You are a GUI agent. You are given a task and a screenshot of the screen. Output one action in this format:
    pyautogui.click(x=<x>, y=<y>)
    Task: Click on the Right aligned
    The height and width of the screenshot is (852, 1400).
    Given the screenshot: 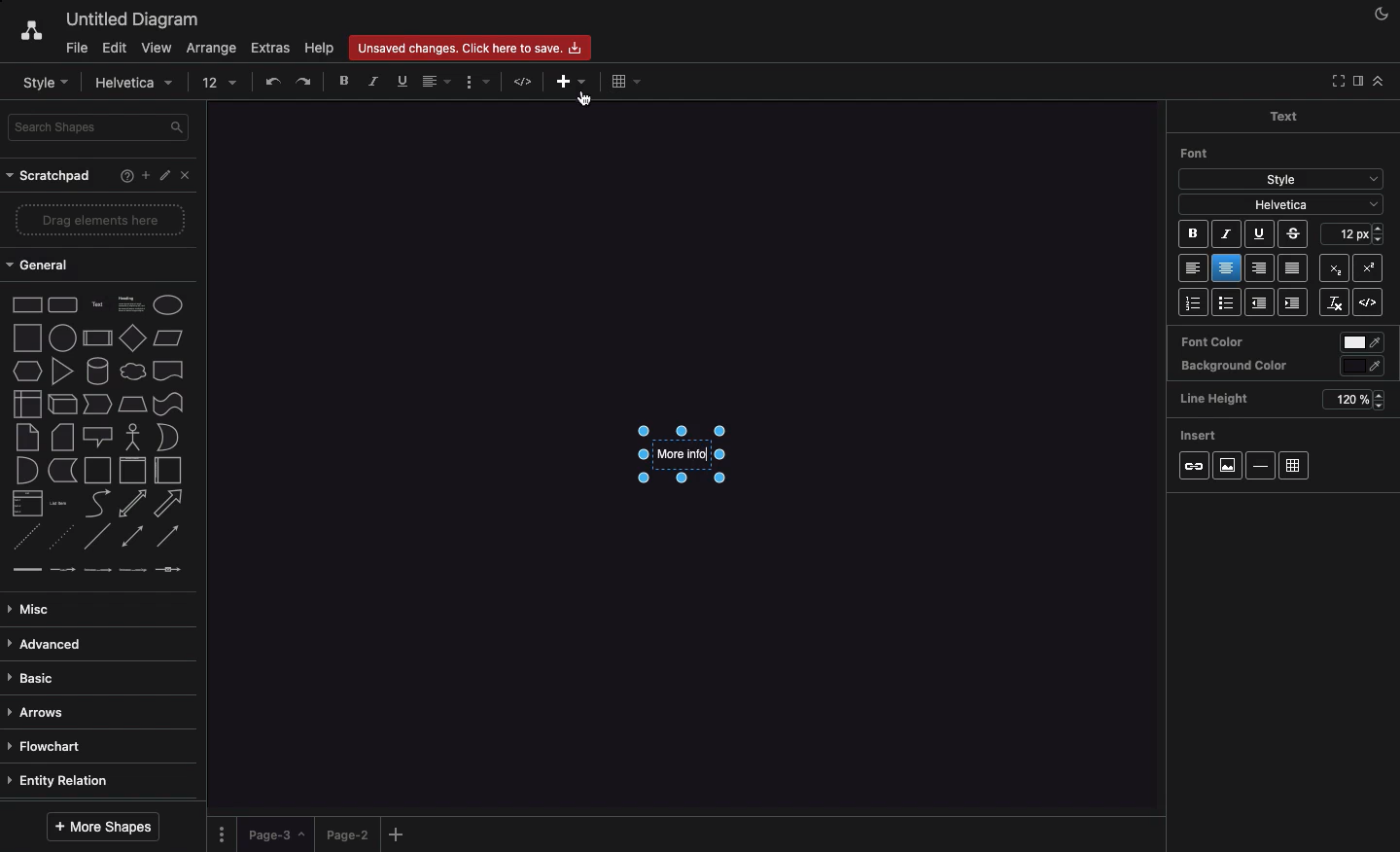 What is the action you would take?
    pyautogui.click(x=1260, y=269)
    